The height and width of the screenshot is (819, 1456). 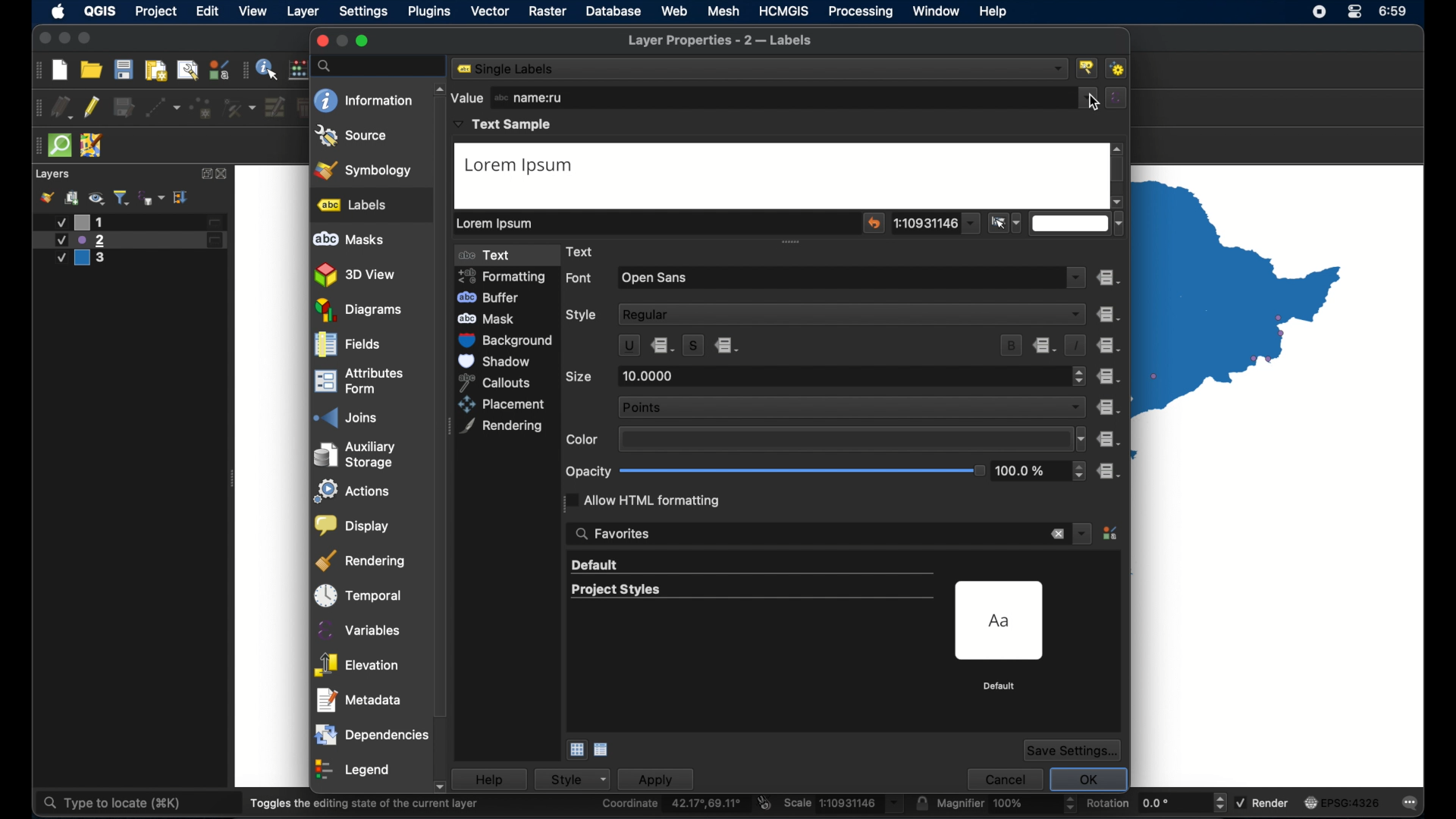 What do you see at coordinates (268, 68) in the screenshot?
I see `identify feature` at bounding box center [268, 68].